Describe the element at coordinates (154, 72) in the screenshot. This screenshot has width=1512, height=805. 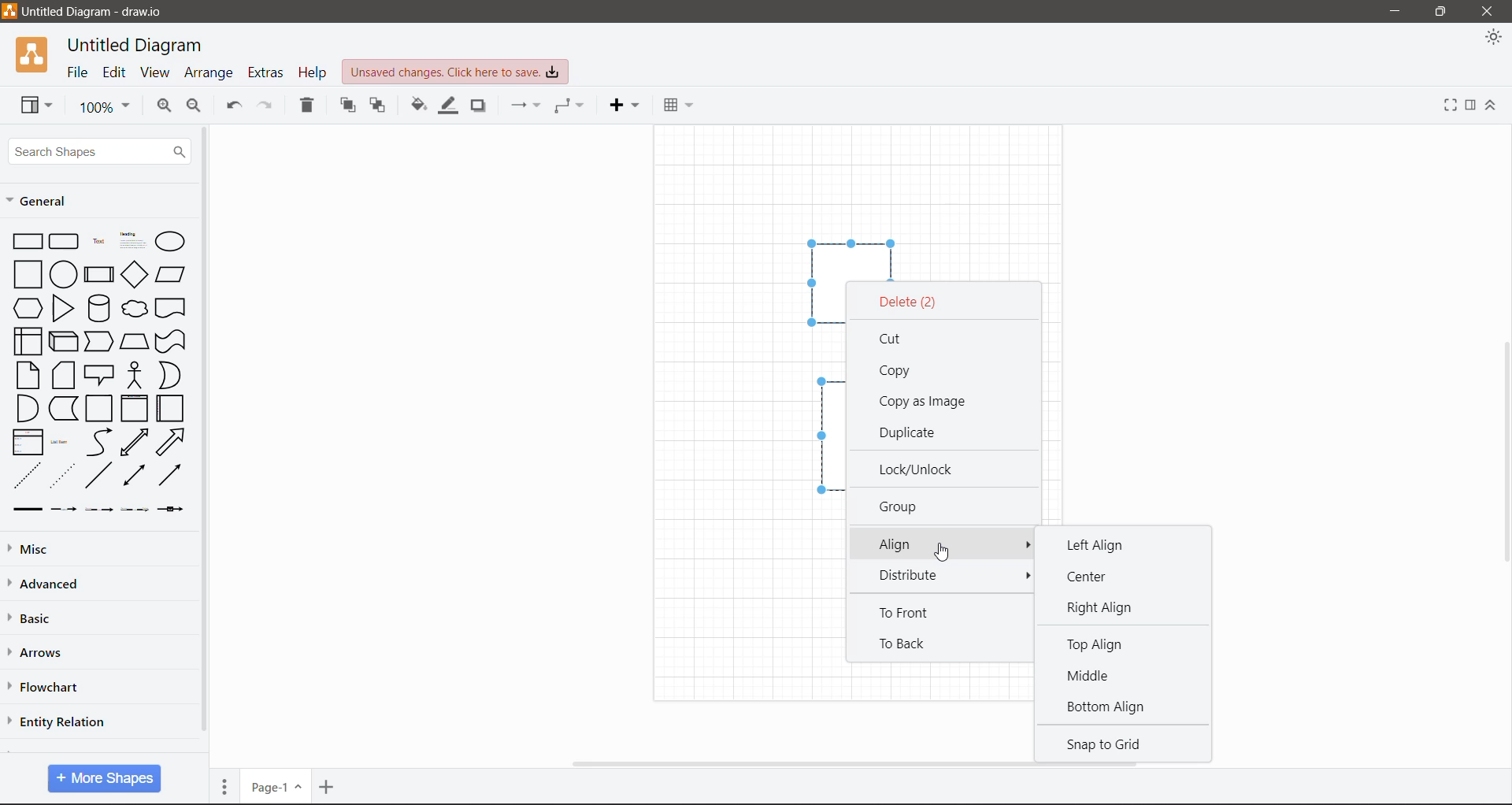
I see `View` at that location.